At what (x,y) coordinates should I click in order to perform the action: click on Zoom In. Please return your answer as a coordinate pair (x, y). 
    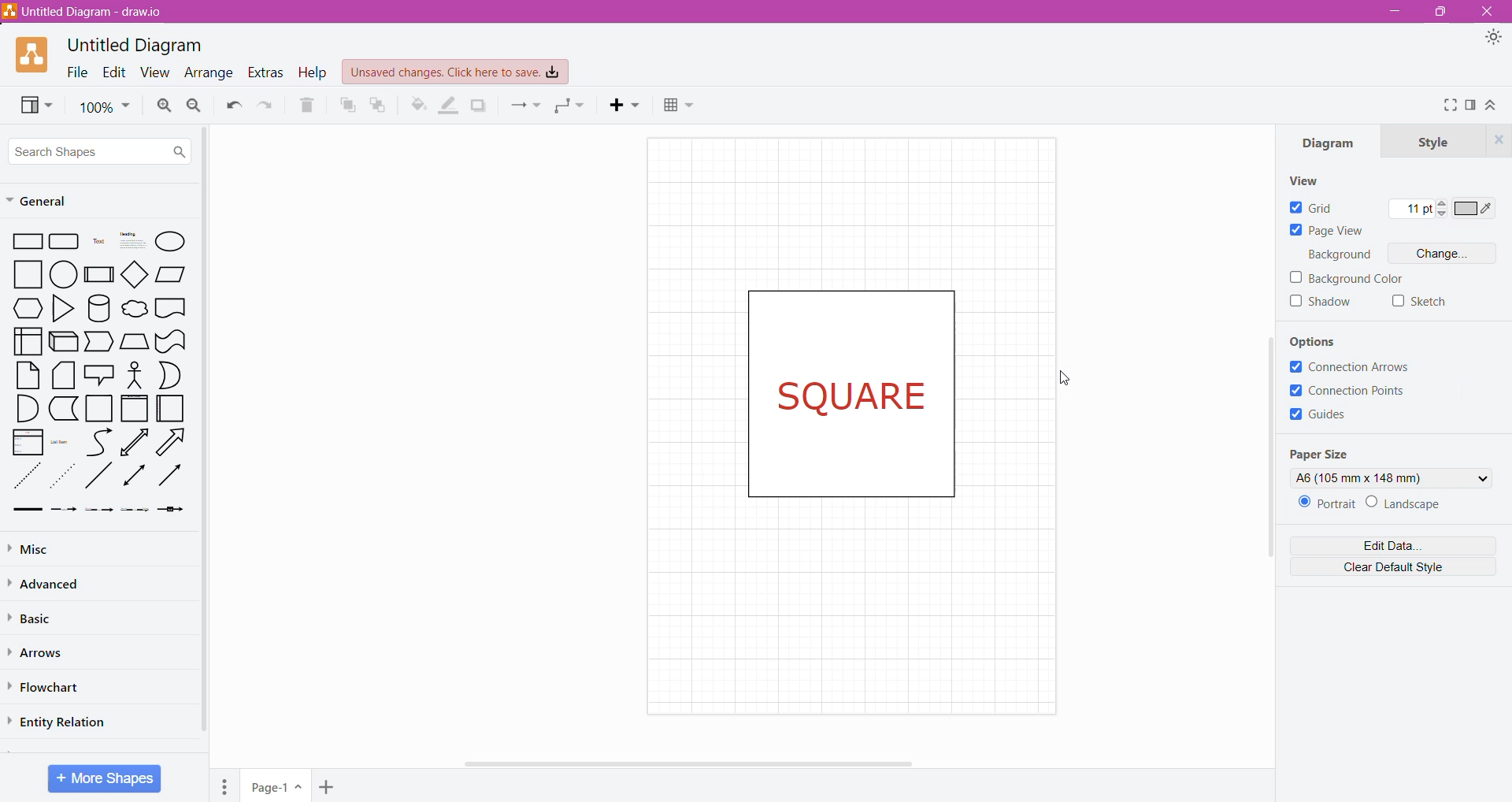
    Looking at the image, I should click on (164, 104).